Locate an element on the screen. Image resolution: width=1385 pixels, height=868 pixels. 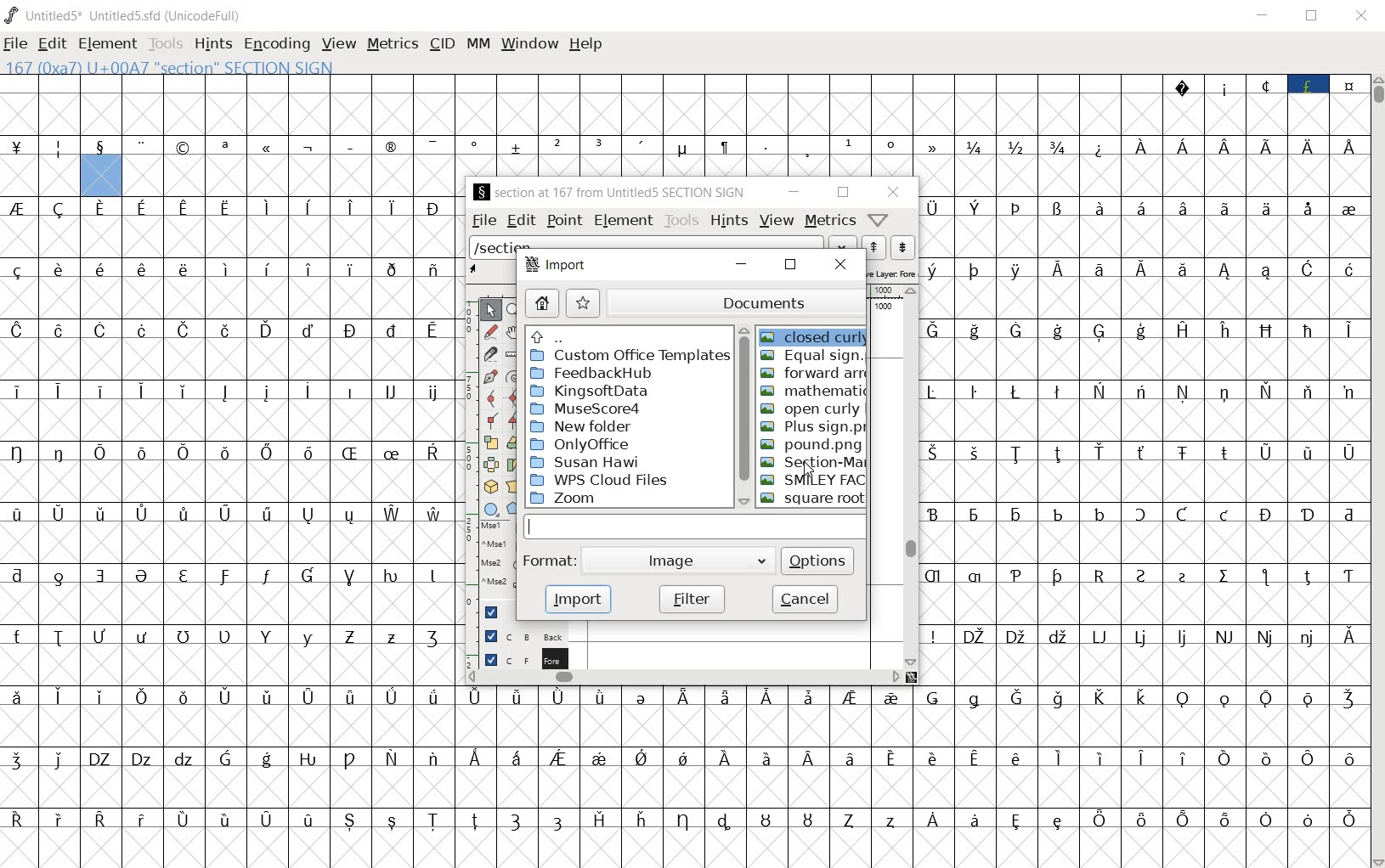
empty cells is located at coordinates (1146, 362).